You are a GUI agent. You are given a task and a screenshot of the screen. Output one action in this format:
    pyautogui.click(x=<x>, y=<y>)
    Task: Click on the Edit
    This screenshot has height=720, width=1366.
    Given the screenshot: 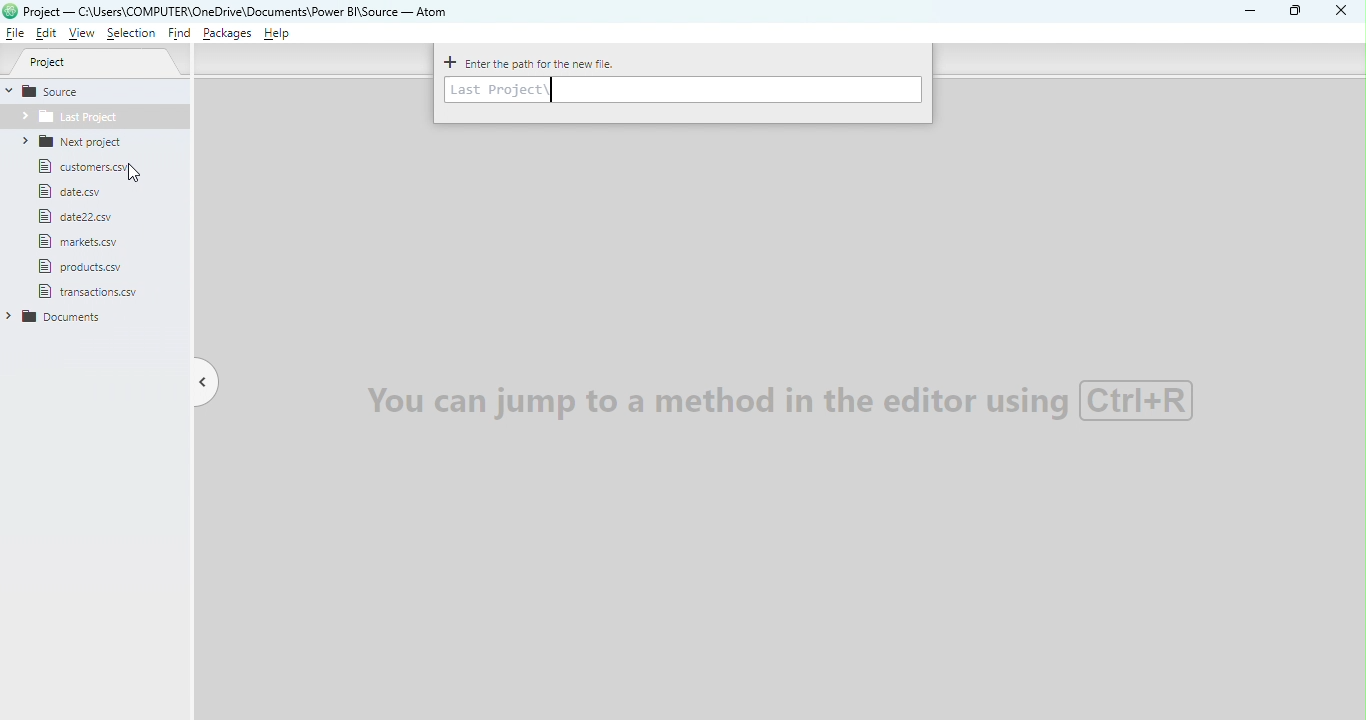 What is the action you would take?
    pyautogui.click(x=47, y=34)
    